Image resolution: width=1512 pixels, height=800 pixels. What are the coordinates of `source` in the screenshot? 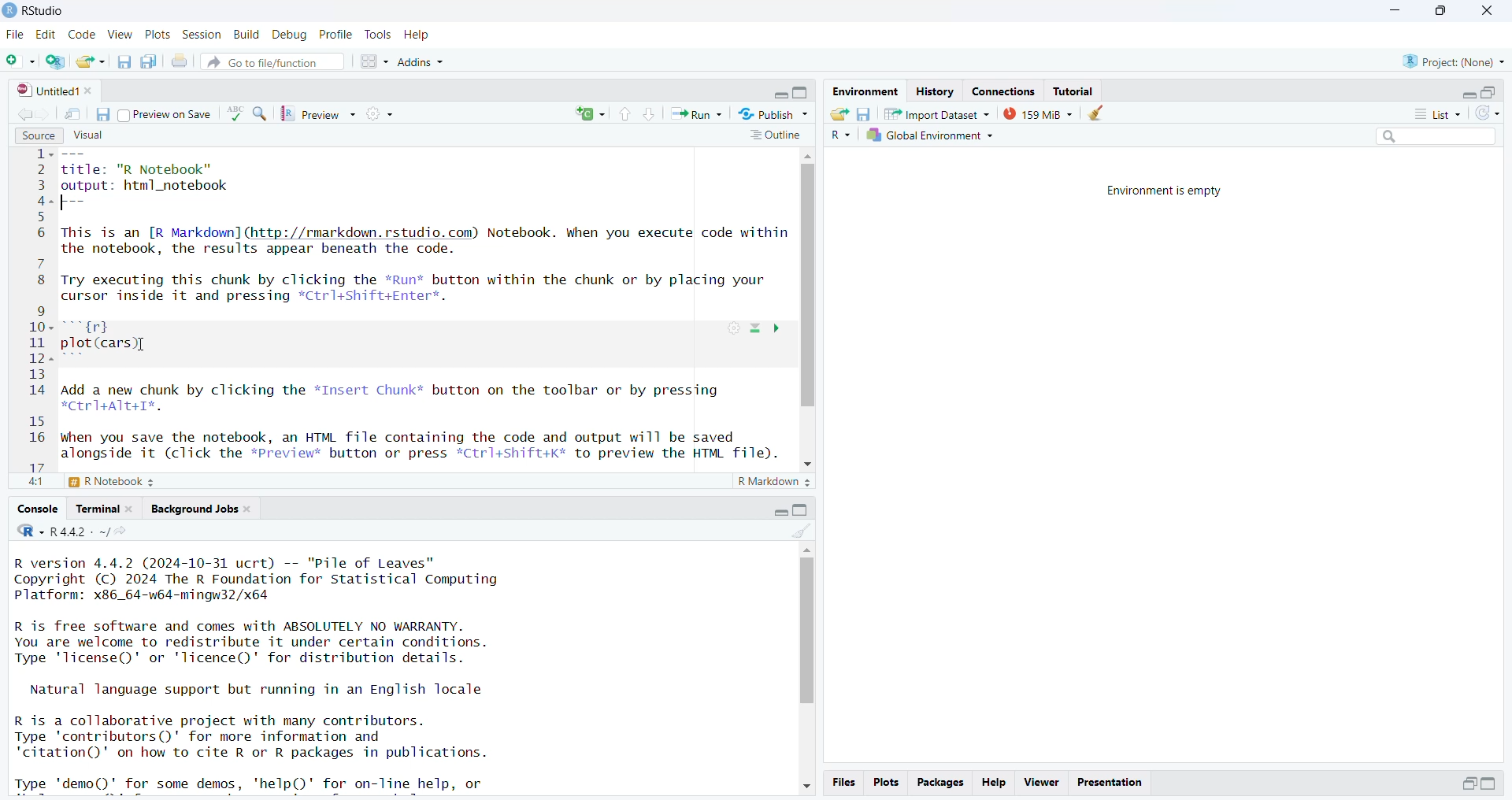 It's located at (36, 135).